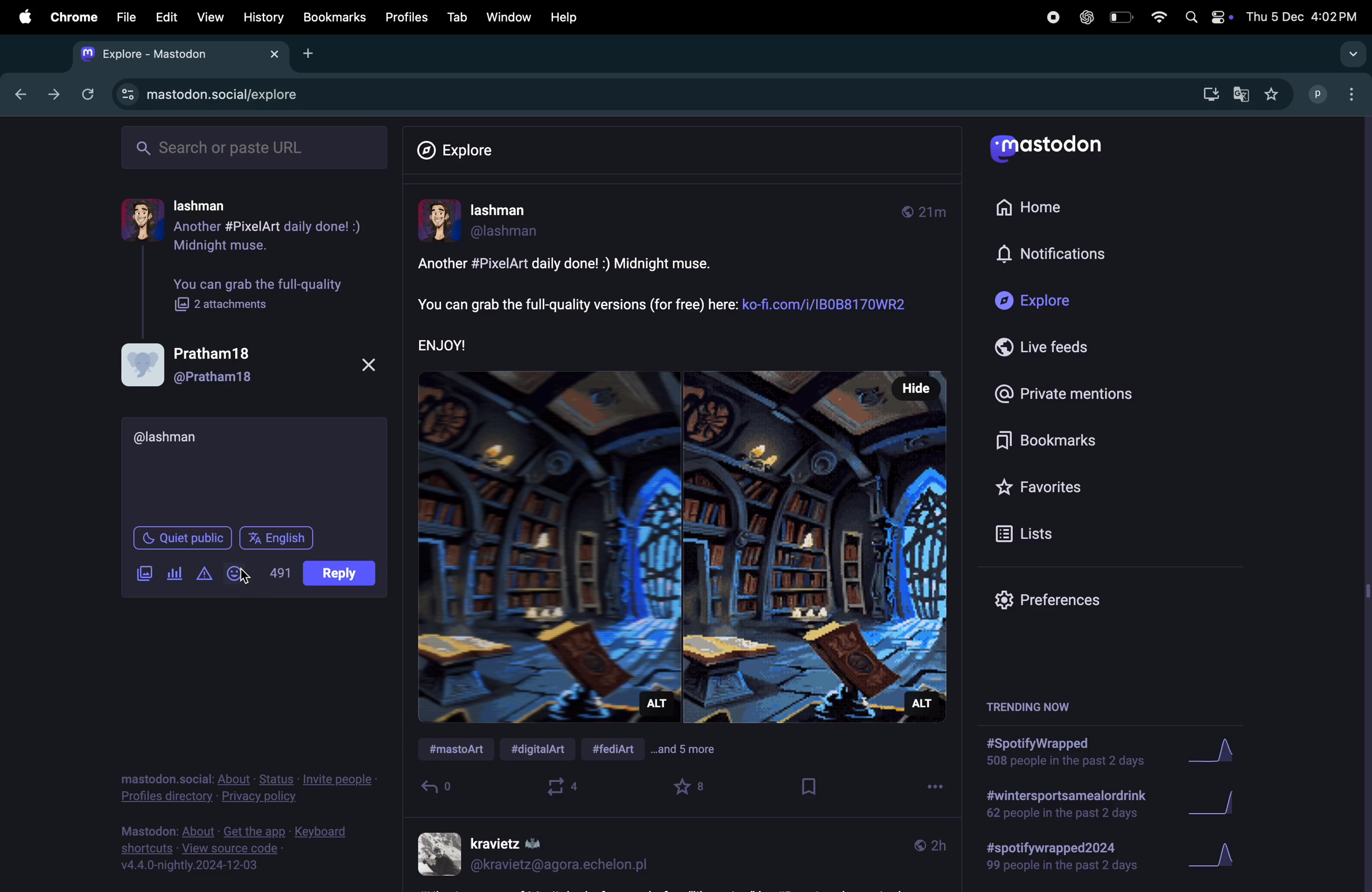 This screenshot has width=1372, height=892. Describe the element at coordinates (209, 18) in the screenshot. I see `view` at that location.